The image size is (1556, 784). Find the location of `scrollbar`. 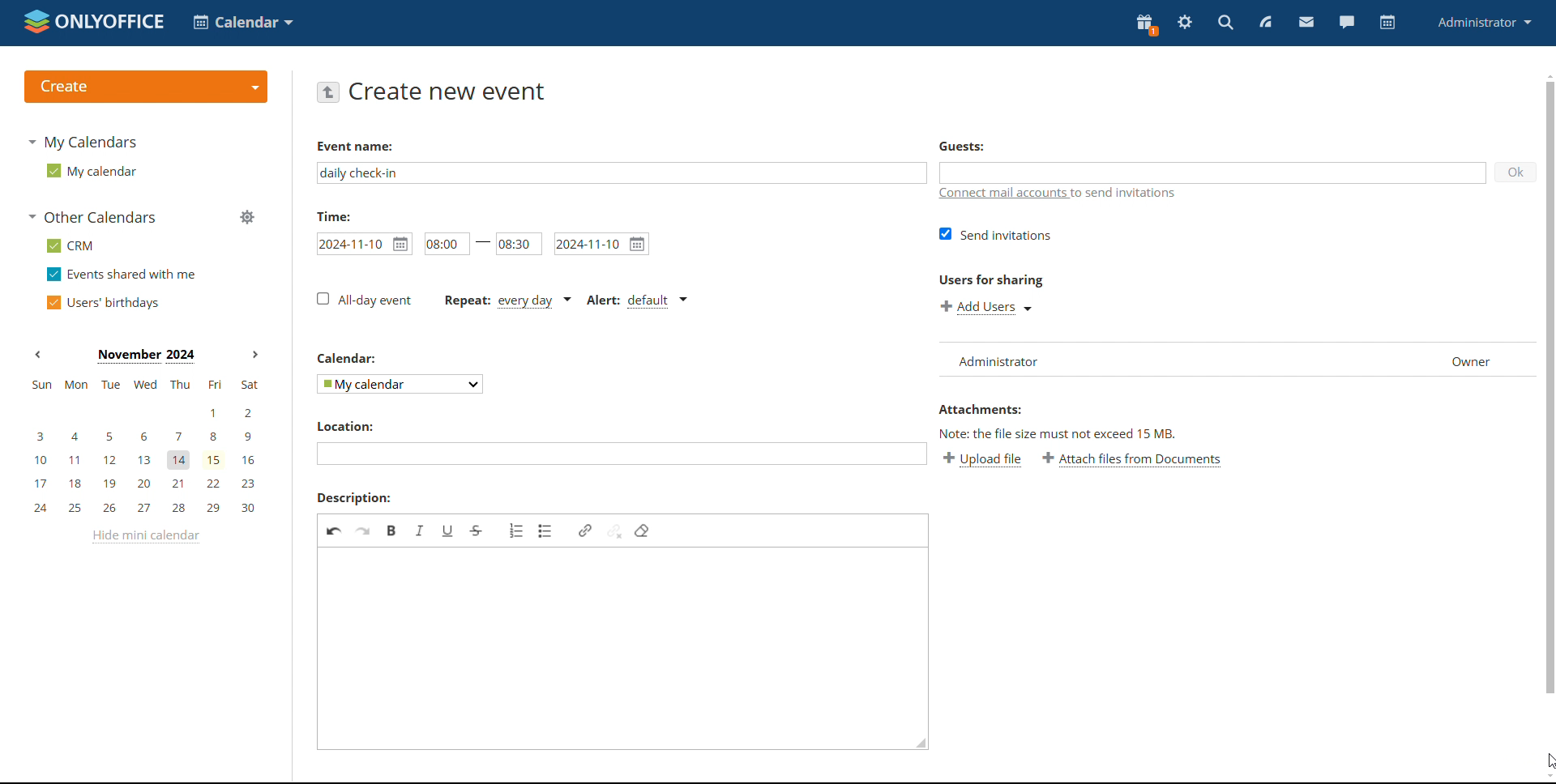

scrollbar is located at coordinates (1546, 395).